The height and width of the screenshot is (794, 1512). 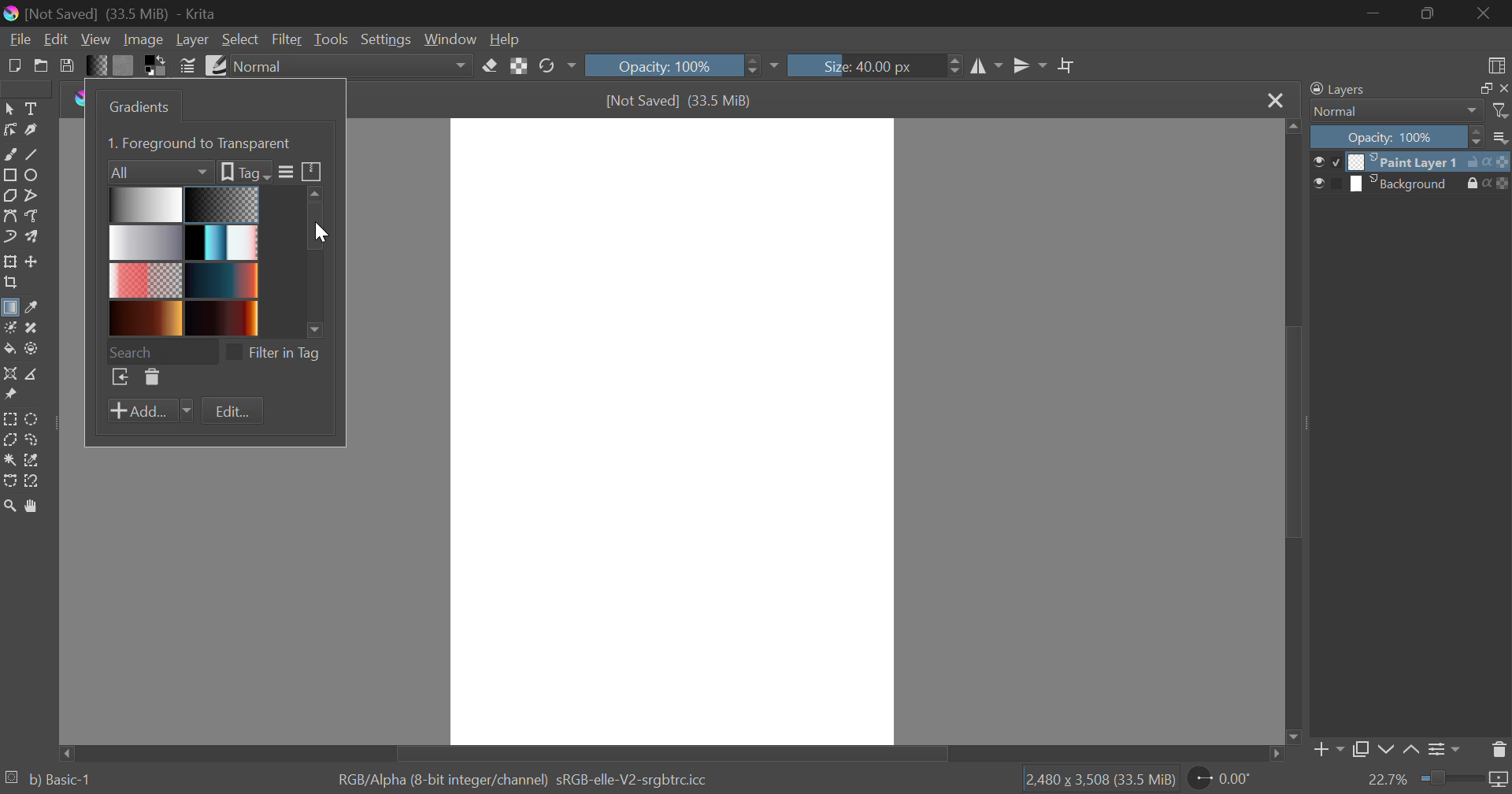 I want to click on Select, so click(x=240, y=39).